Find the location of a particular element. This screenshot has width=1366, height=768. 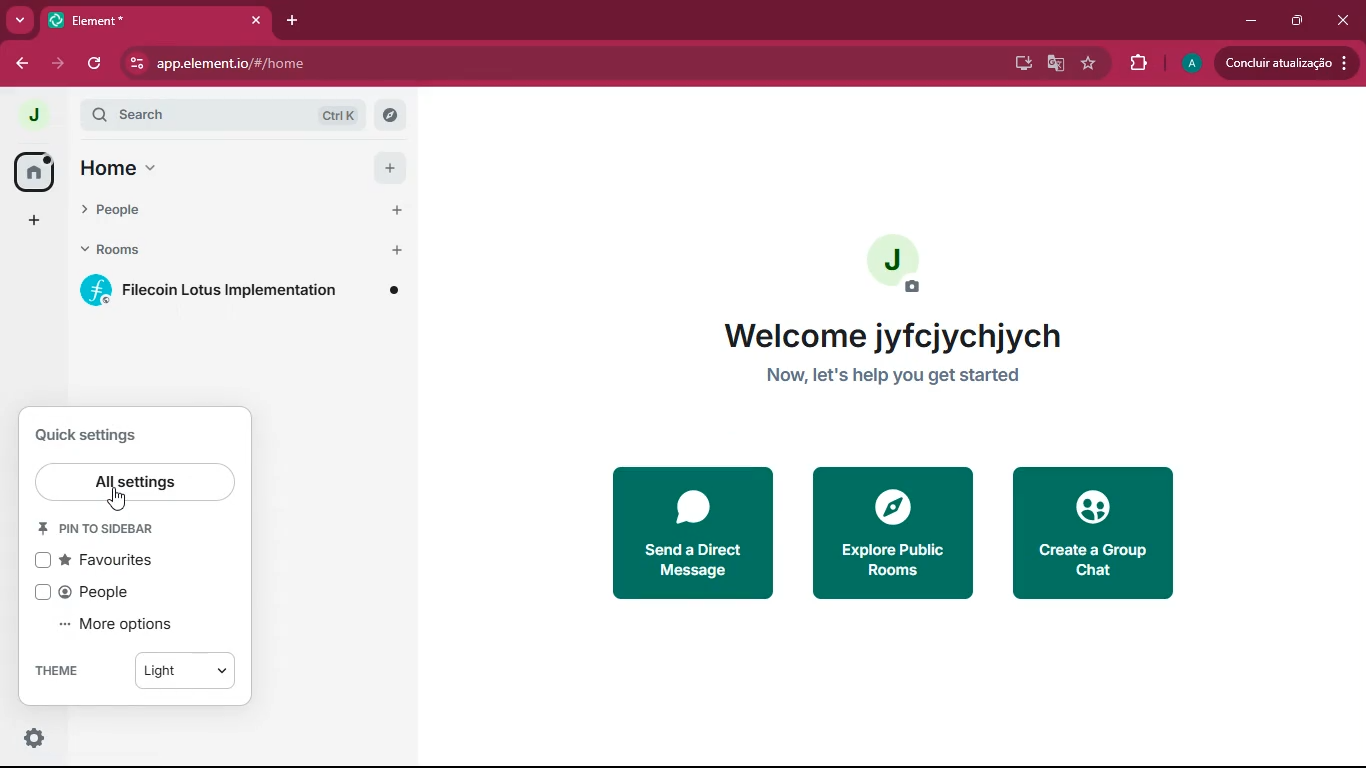

profile is located at coordinates (1189, 64).